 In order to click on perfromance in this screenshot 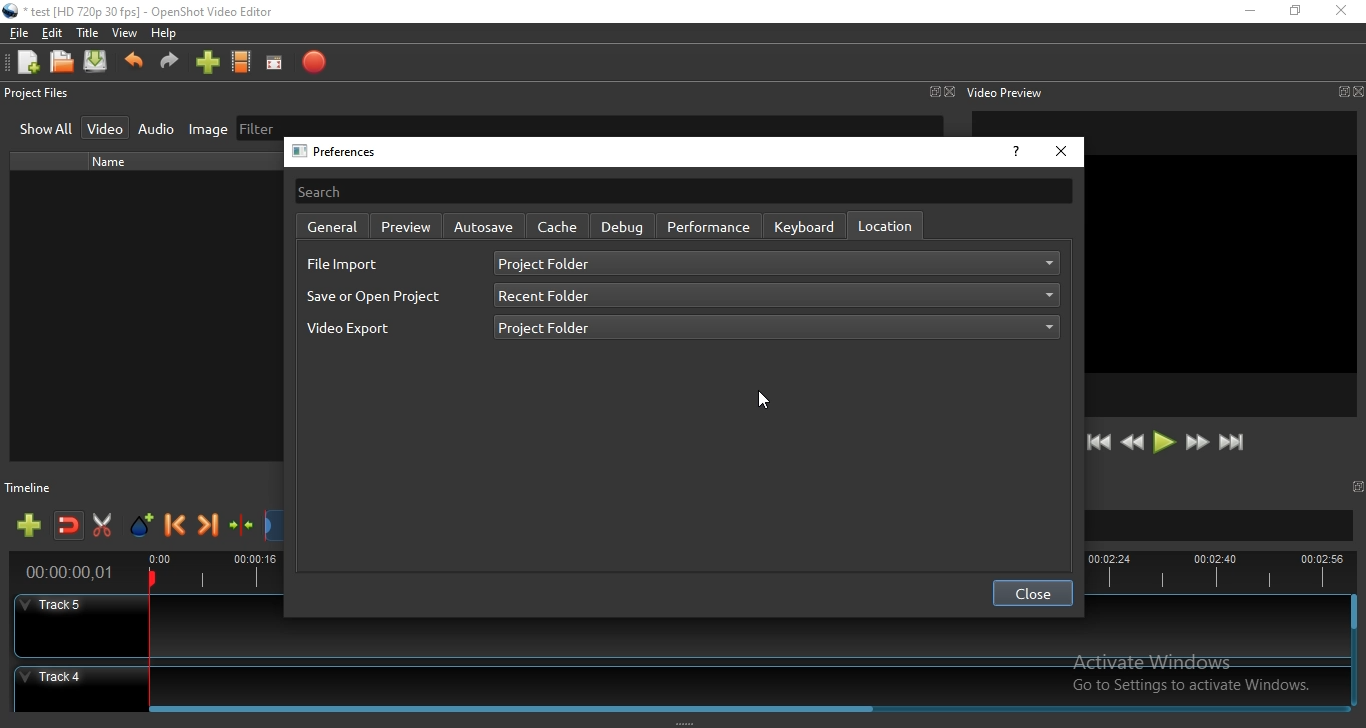, I will do `click(709, 227)`.